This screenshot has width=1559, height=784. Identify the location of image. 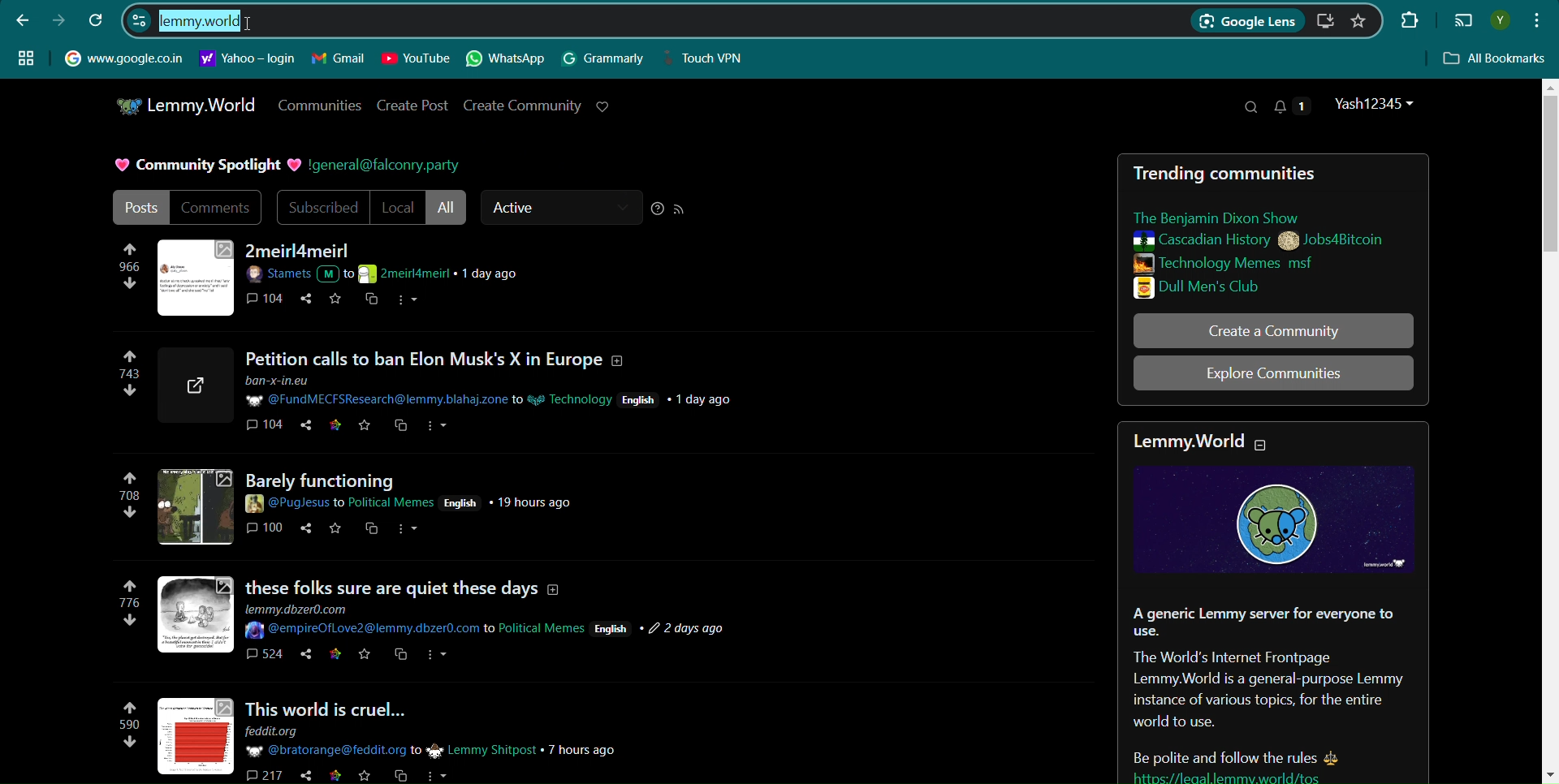
(197, 614).